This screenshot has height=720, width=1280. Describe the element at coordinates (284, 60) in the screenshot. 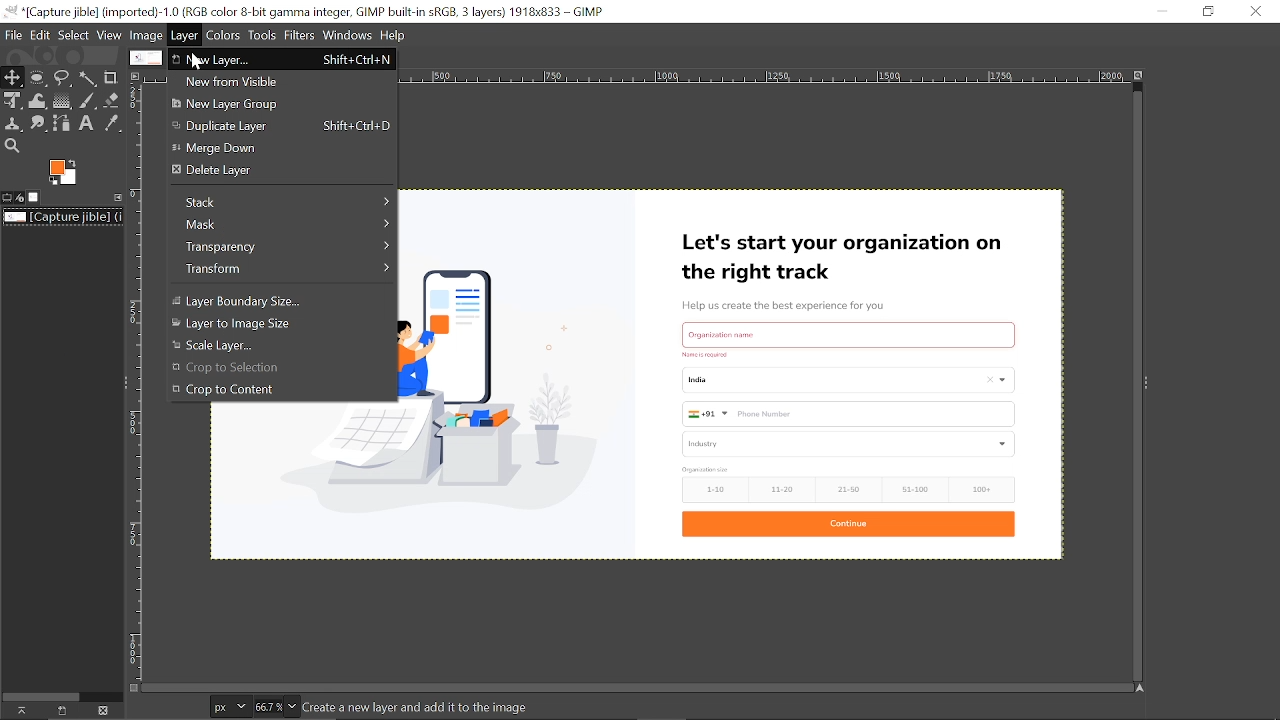

I see `New layer` at that location.